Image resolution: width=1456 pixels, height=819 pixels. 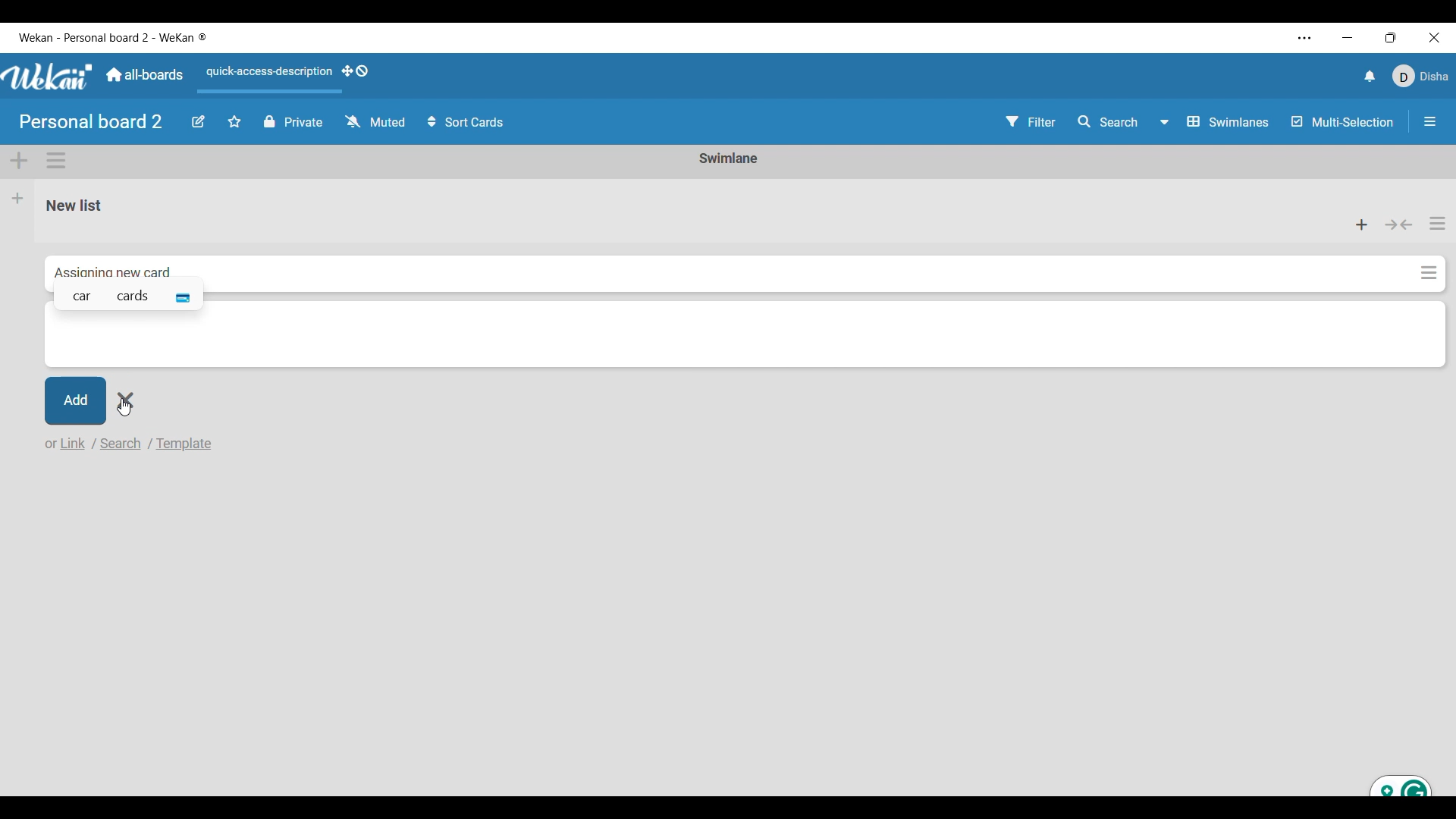 What do you see at coordinates (1109, 121) in the screenshot?
I see `Search` at bounding box center [1109, 121].